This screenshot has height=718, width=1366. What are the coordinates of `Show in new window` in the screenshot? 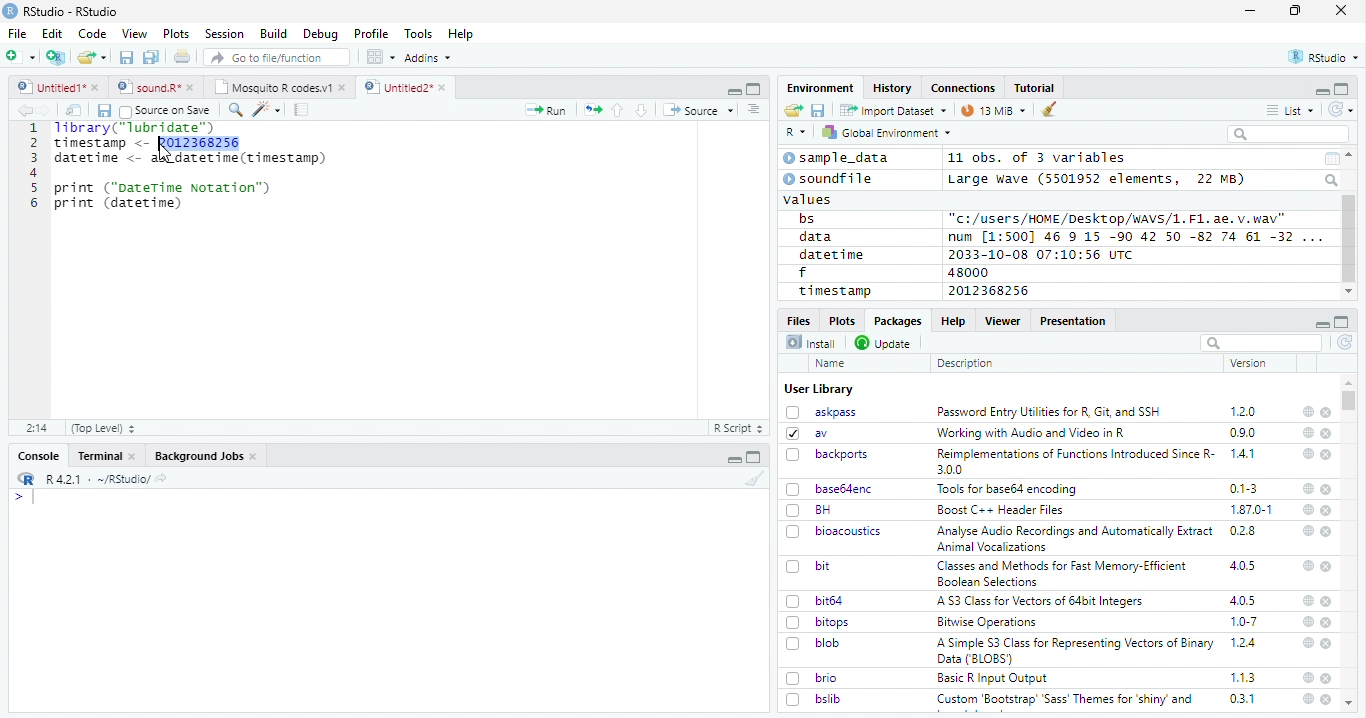 It's located at (76, 110).